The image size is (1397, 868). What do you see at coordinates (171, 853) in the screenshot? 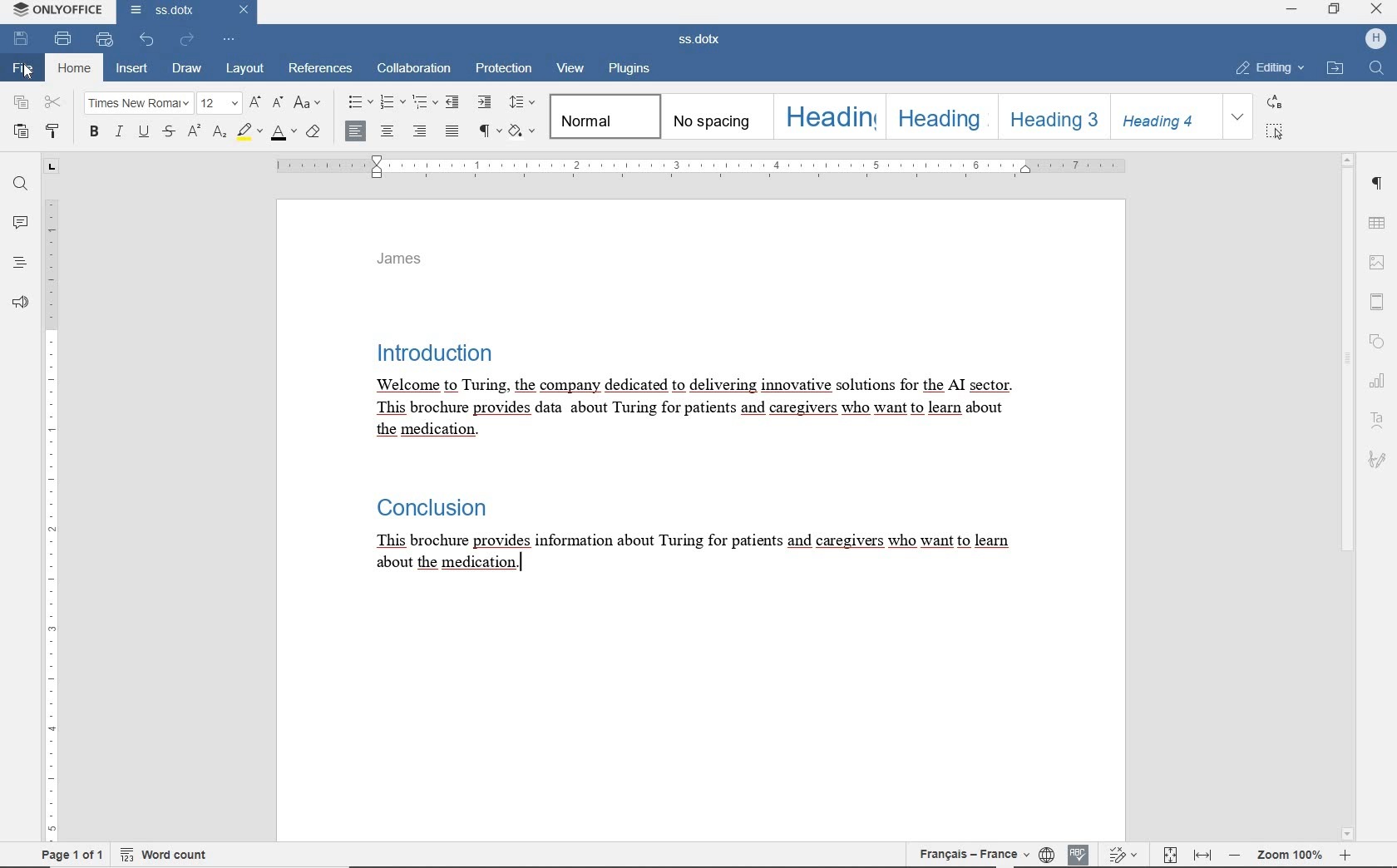
I see `WORD COUNT` at bounding box center [171, 853].